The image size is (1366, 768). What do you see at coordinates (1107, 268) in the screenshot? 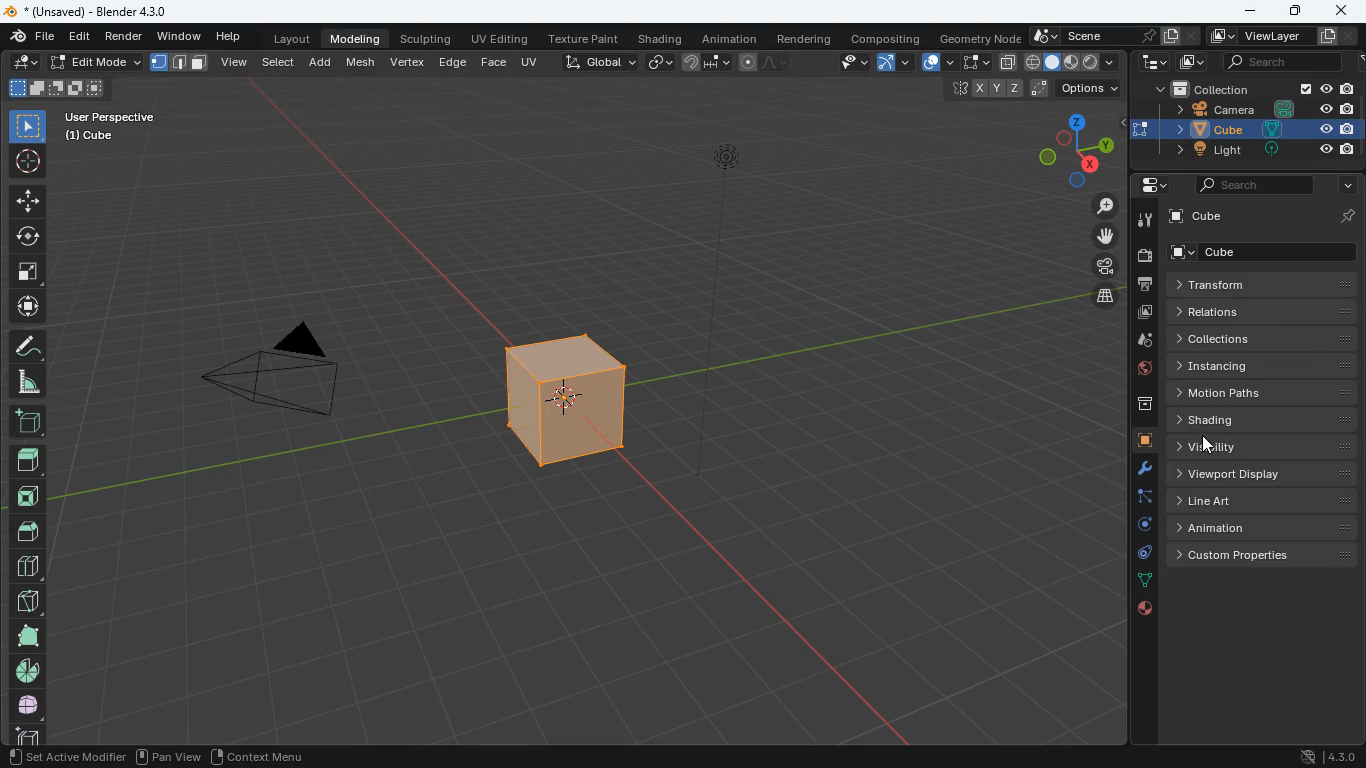
I see `film` at bounding box center [1107, 268].